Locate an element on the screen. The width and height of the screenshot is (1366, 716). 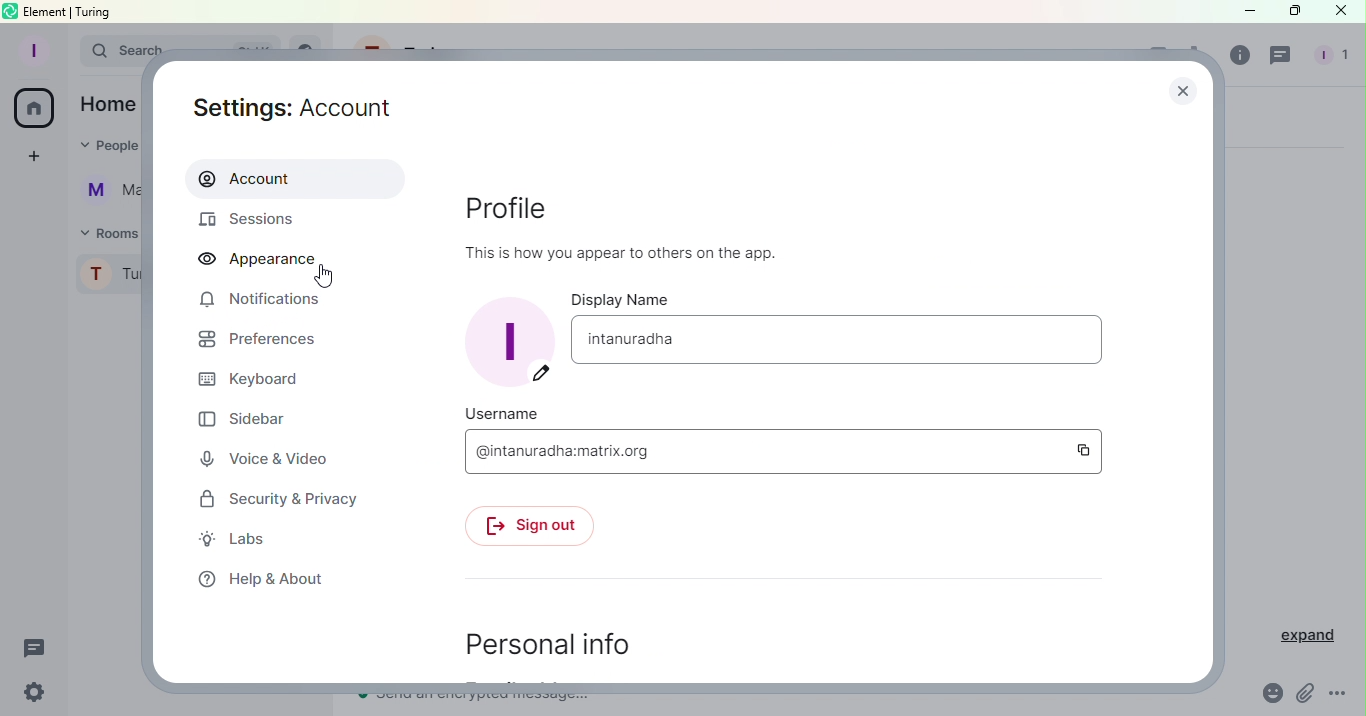
Keyboard is located at coordinates (266, 380).